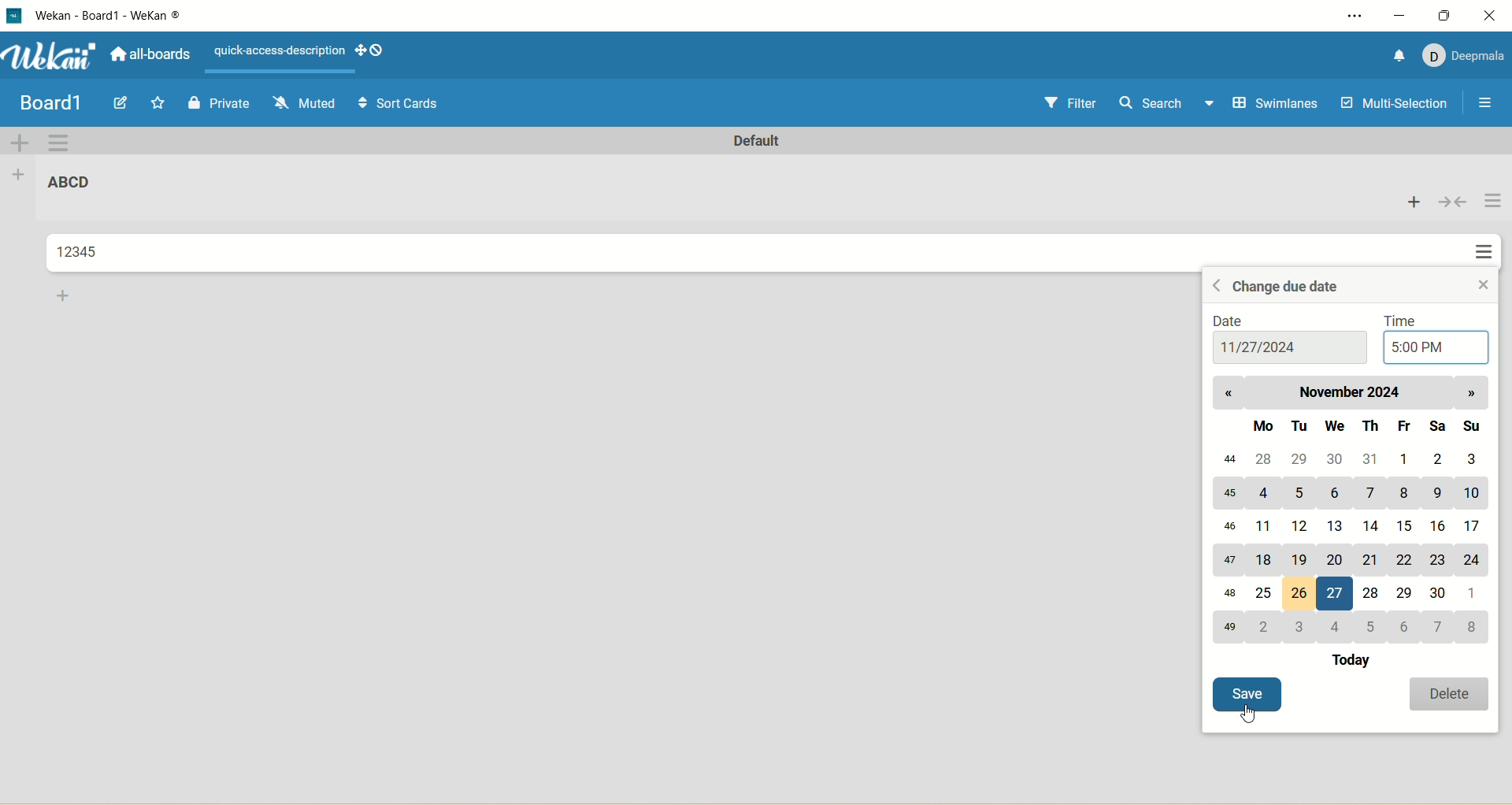 Image resolution: width=1512 pixels, height=805 pixels. What do you see at coordinates (70, 181) in the screenshot?
I see `list title` at bounding box center [70, 181].